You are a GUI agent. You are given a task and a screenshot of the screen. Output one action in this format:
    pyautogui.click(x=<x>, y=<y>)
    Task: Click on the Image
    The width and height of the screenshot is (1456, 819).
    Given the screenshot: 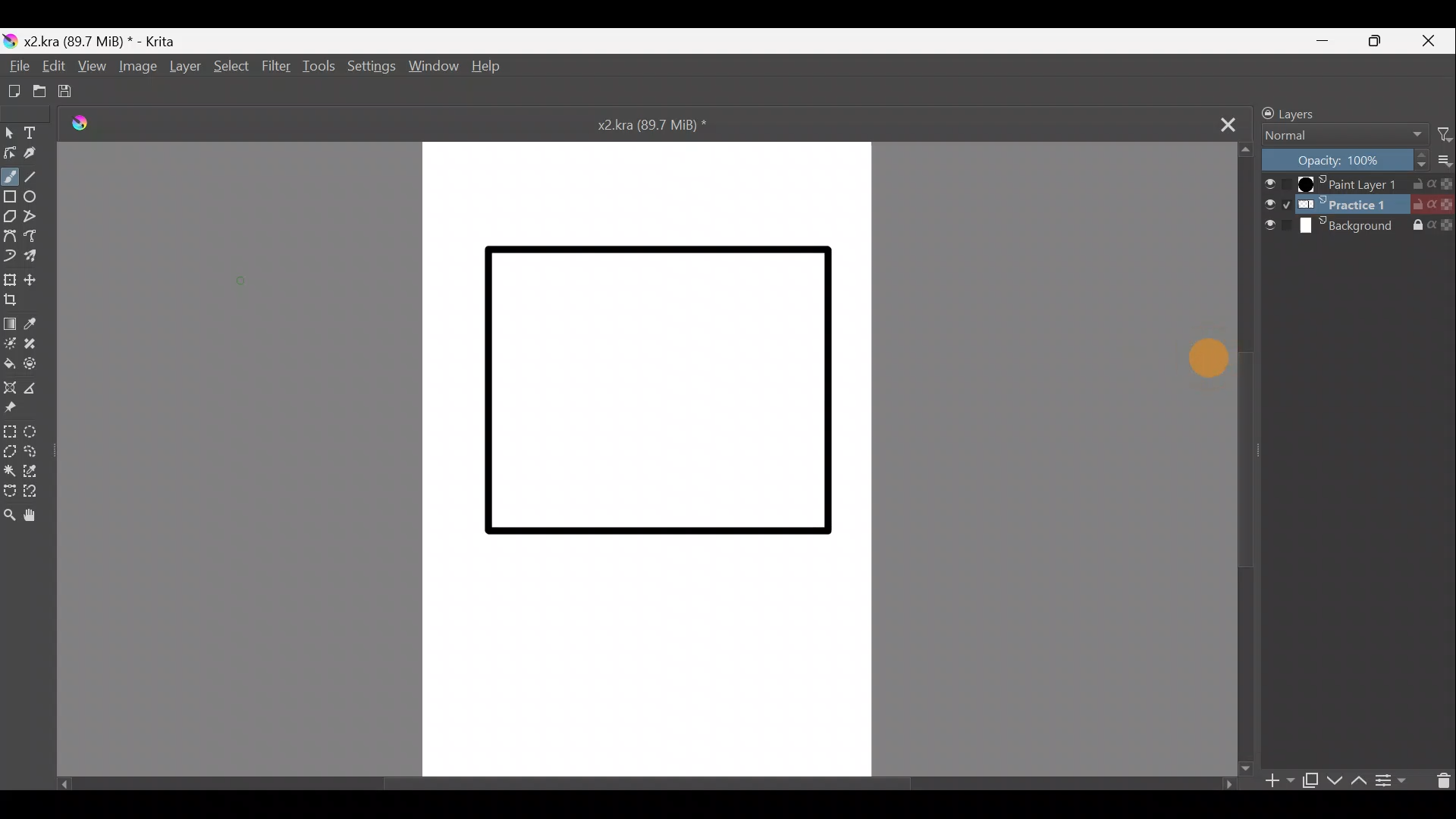 What is the action you would take?
    pyautogui.click(x=140, y=67)
    